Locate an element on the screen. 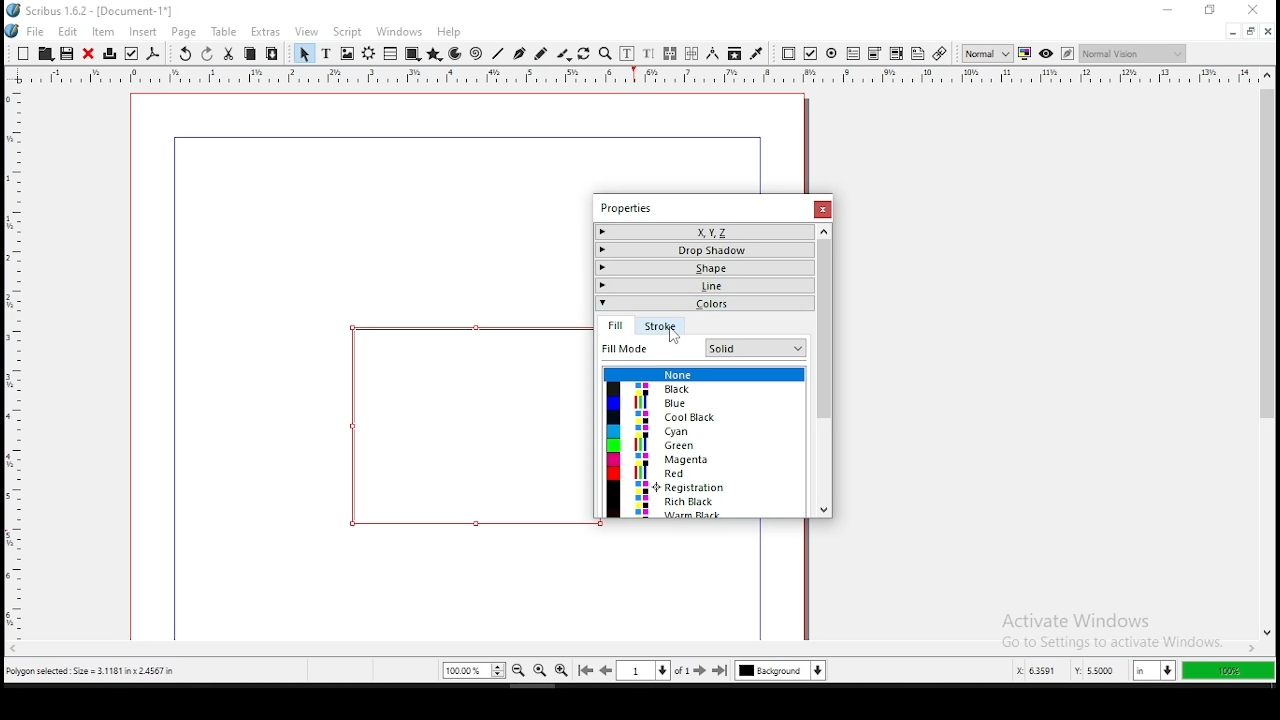 This screenshot has width=1280, height=720. script is located at coordinates (346, 32).